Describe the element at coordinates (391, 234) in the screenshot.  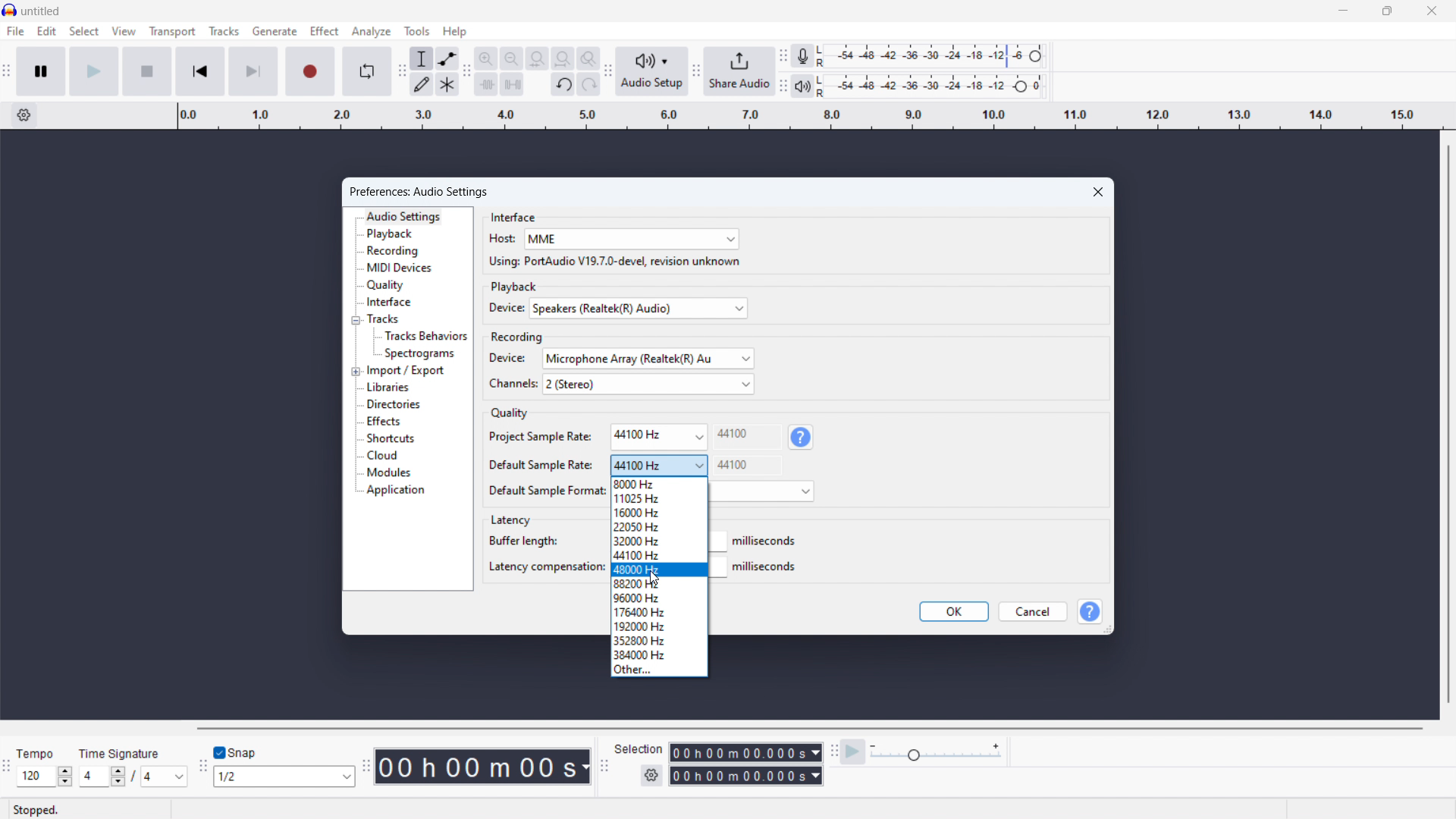
I see `playback` at that location.